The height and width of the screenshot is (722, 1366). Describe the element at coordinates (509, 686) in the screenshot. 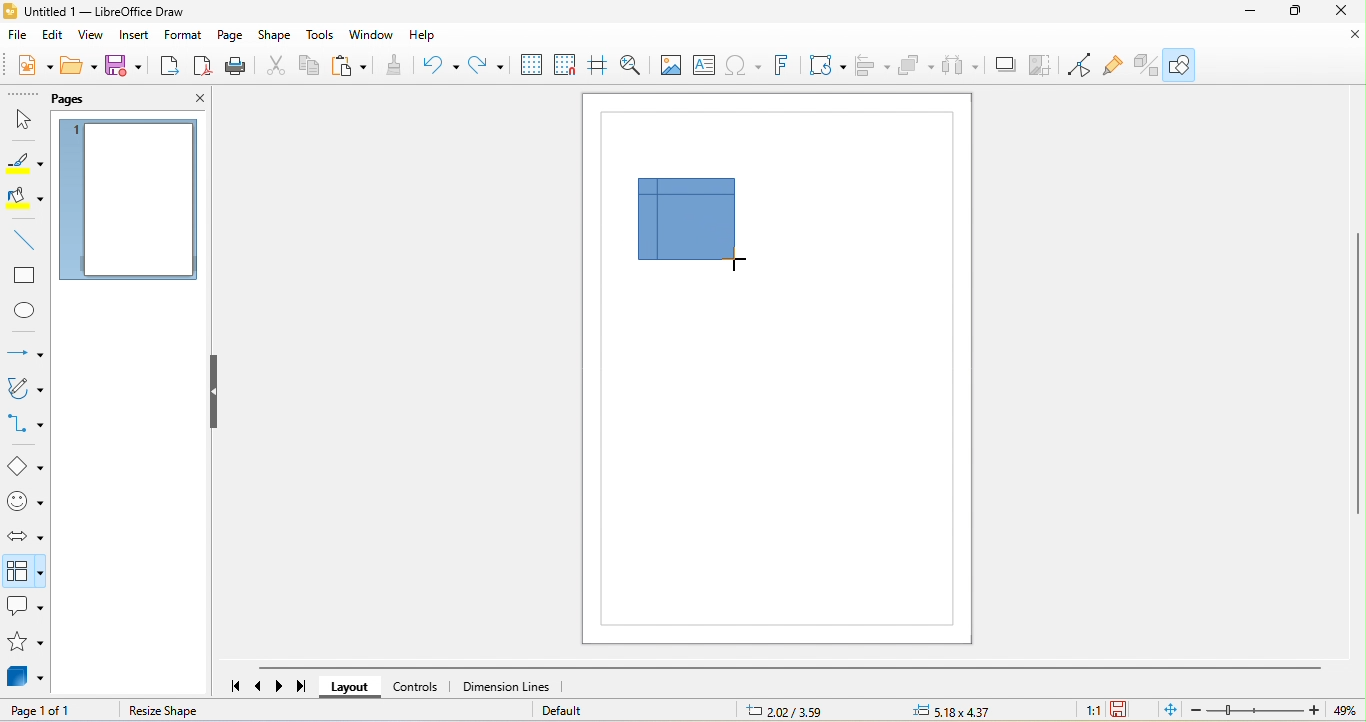

I see `dimension lines` at that location.